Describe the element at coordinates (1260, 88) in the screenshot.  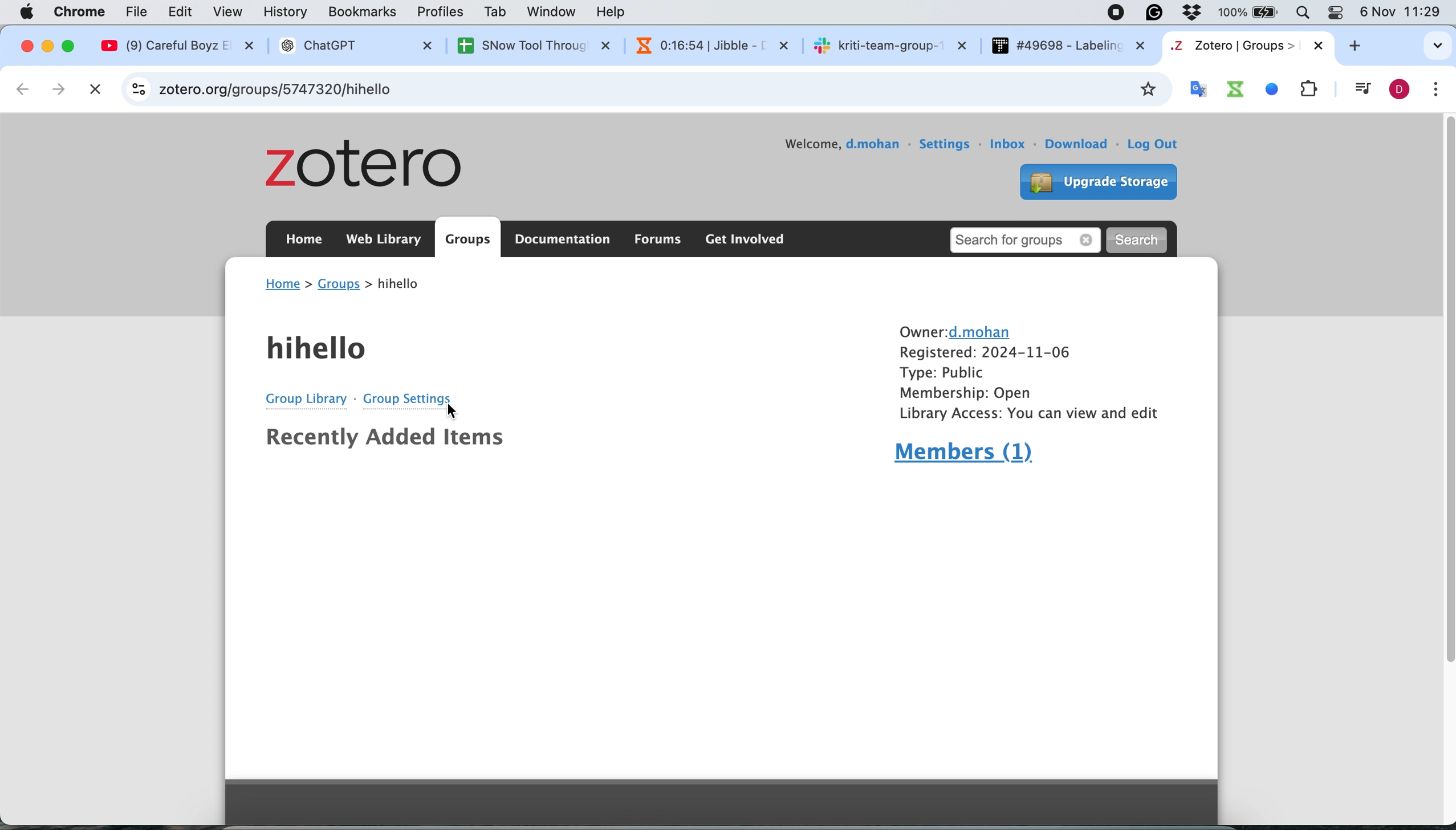
I see `system extensions` at that location.